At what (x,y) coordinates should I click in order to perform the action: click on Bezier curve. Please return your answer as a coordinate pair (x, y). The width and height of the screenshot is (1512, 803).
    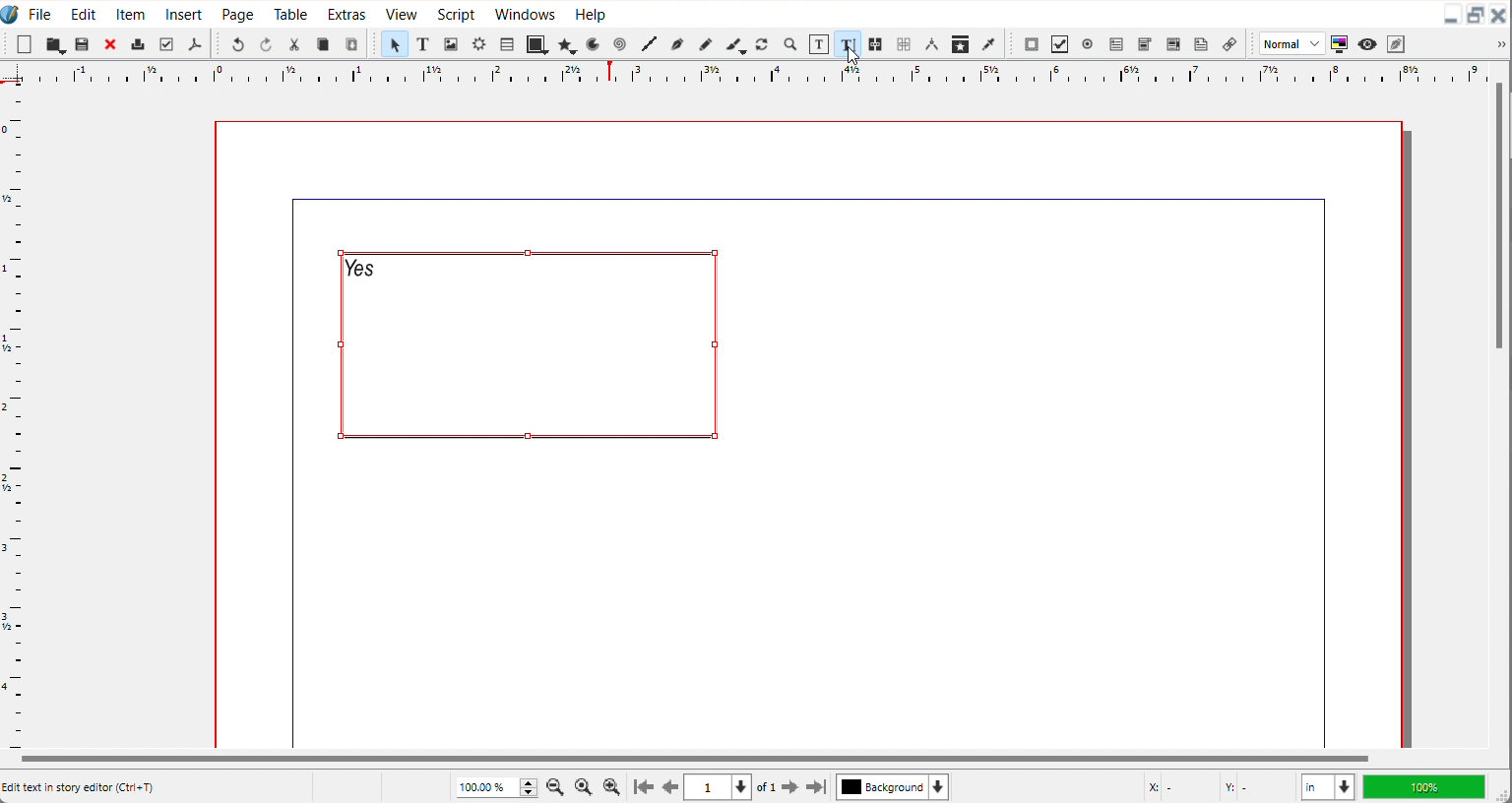
    Looking at the image, I should click on (676, 44).